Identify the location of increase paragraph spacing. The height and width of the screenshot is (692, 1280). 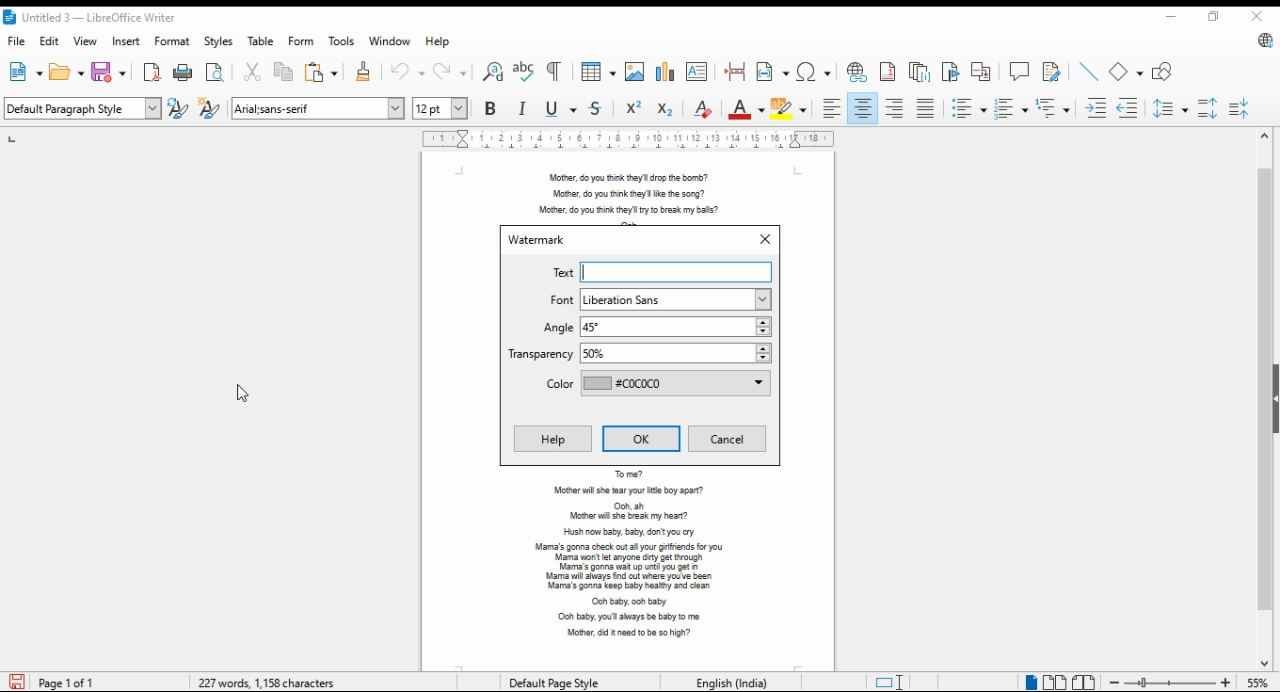
(1210, 108).